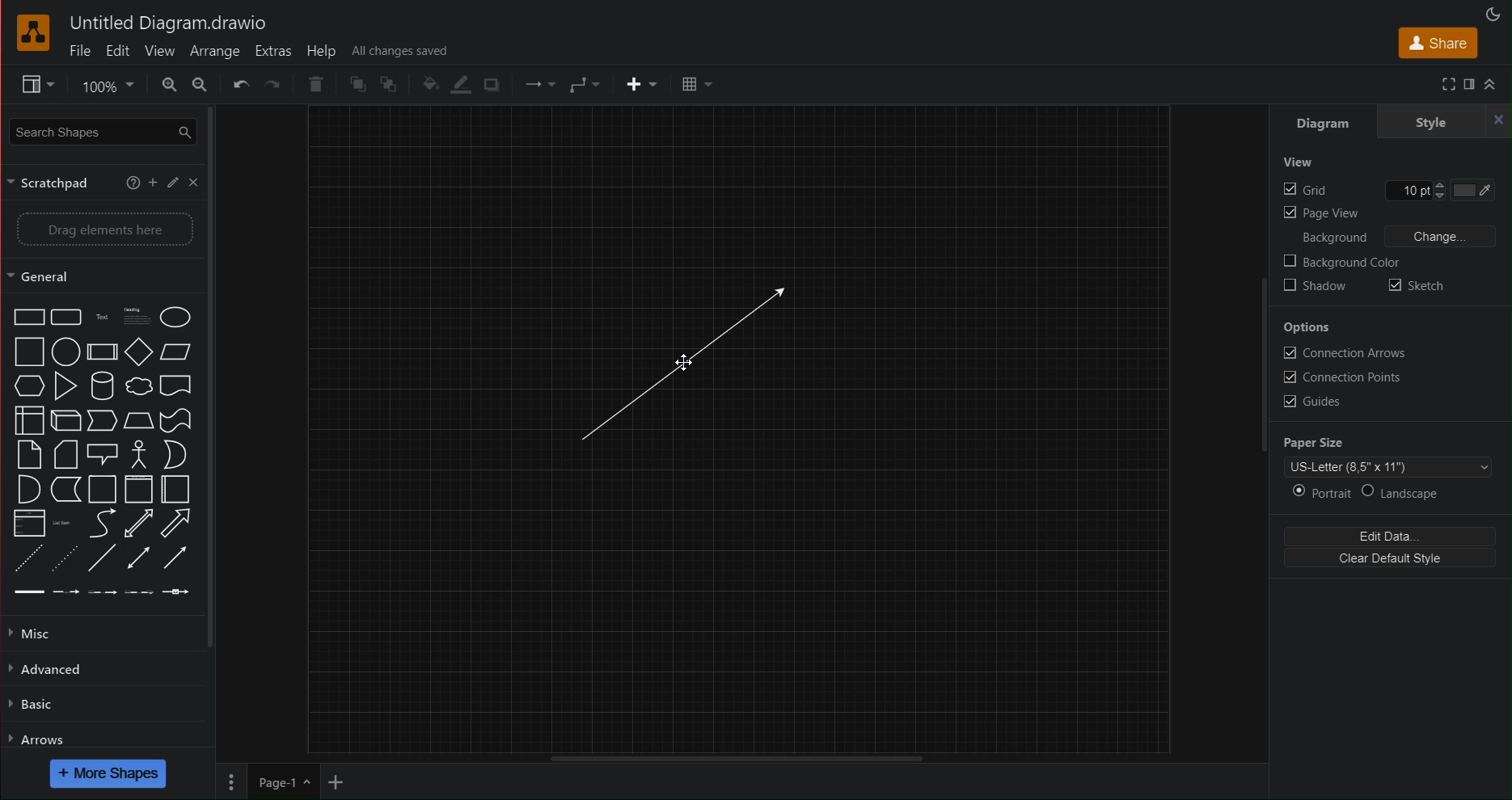 The height and width of the screenshot is (800, 1512). I want to click on arrow up, so click(1492, 84).